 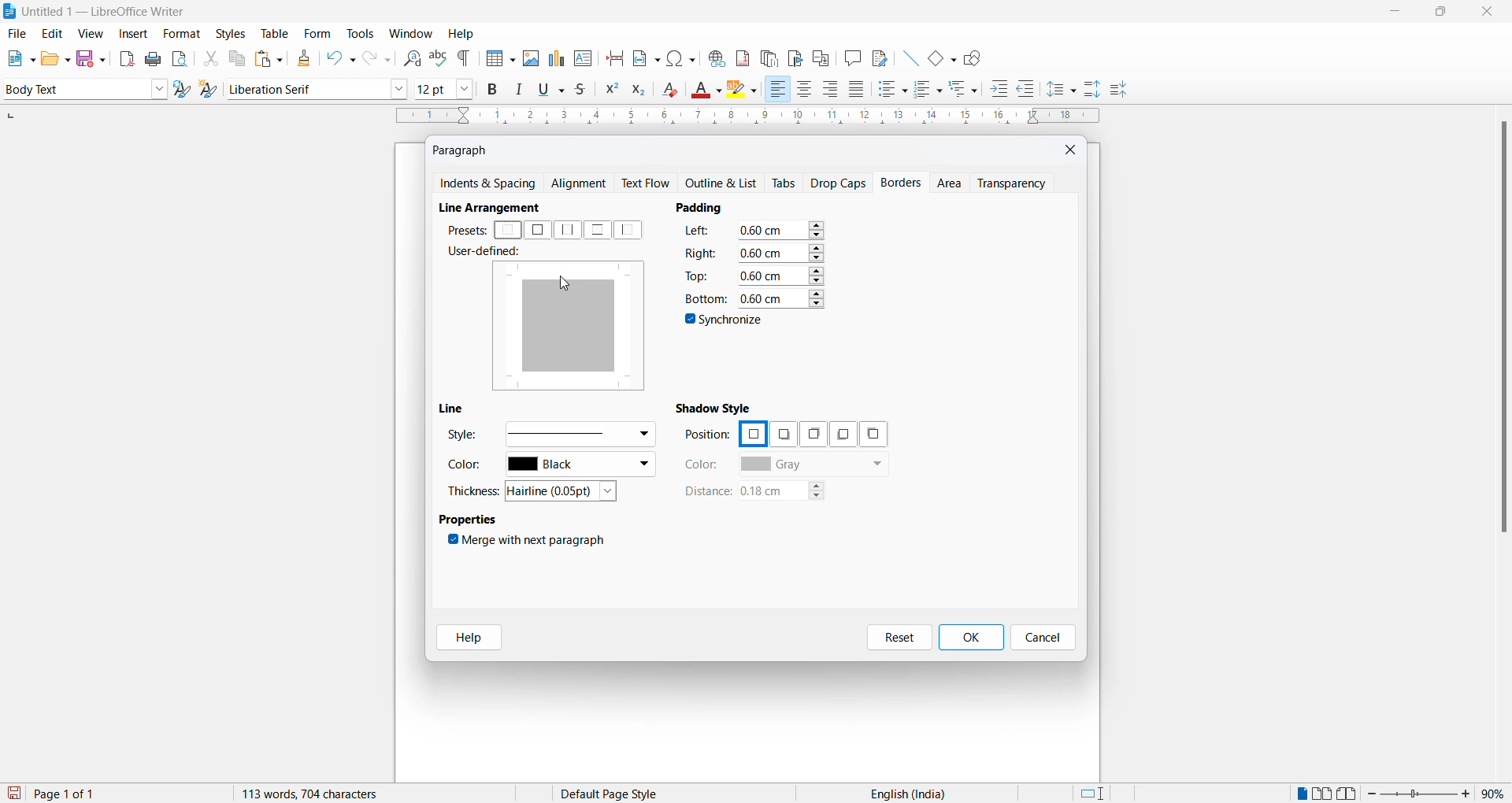 What do you see at coordinates (489, 253) in the screenshot?
I see `user defined` at bounding box center [489, 253].